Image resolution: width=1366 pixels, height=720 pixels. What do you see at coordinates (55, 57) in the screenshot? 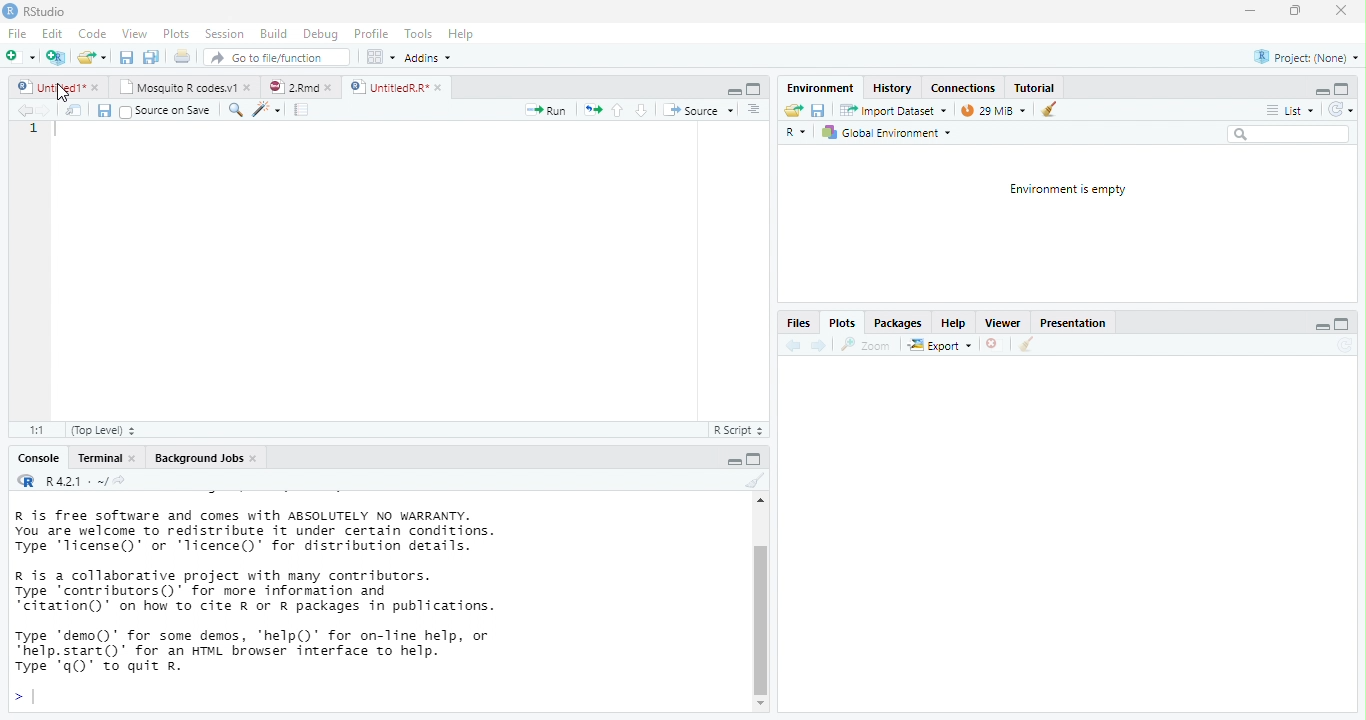
I see `Create a project` at bounding box center [55, 57].